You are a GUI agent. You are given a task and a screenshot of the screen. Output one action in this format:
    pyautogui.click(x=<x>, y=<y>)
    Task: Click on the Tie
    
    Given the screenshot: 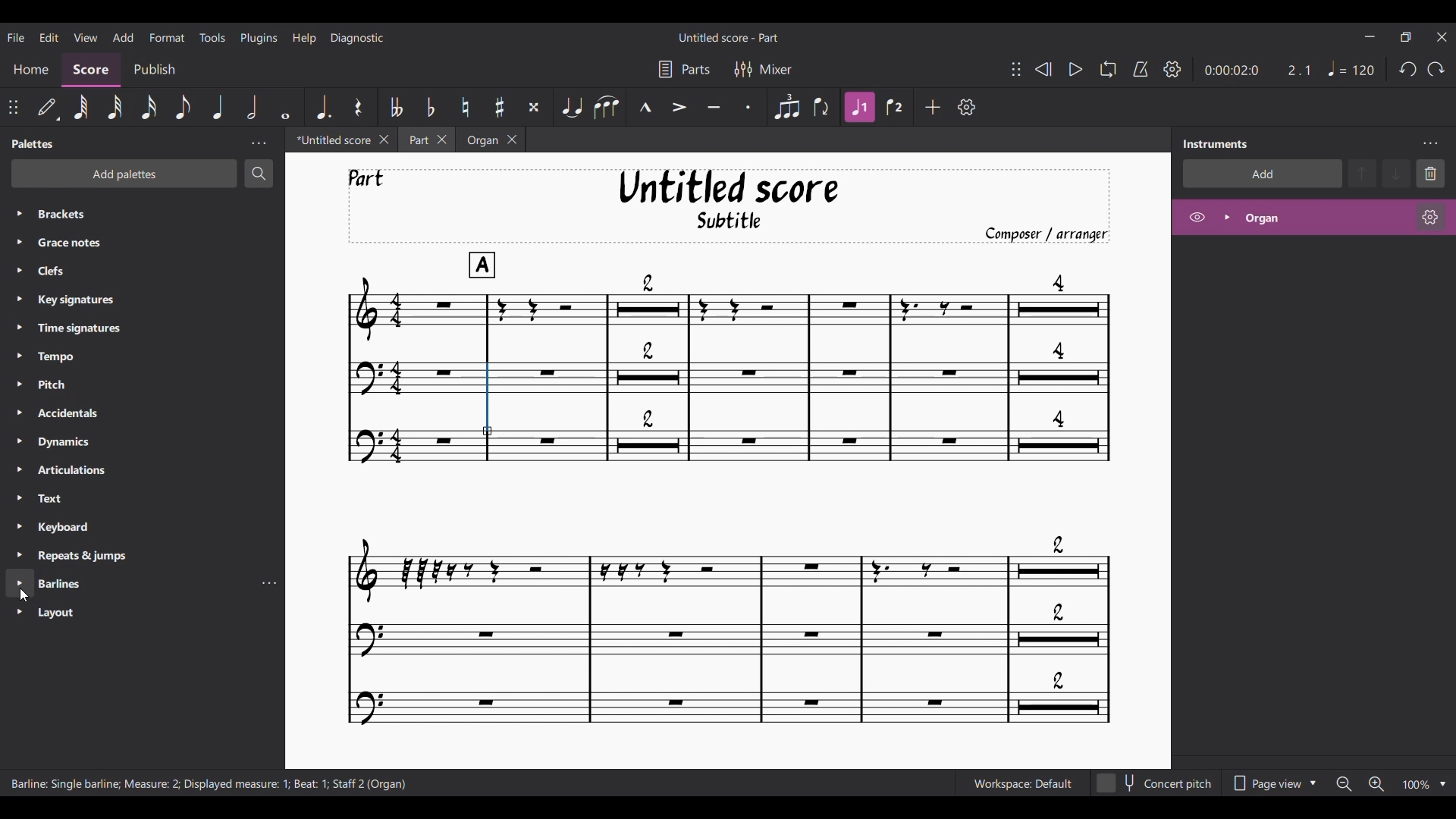 What is the action you would take?
    pyautogui.click(x=573, y=107)
    